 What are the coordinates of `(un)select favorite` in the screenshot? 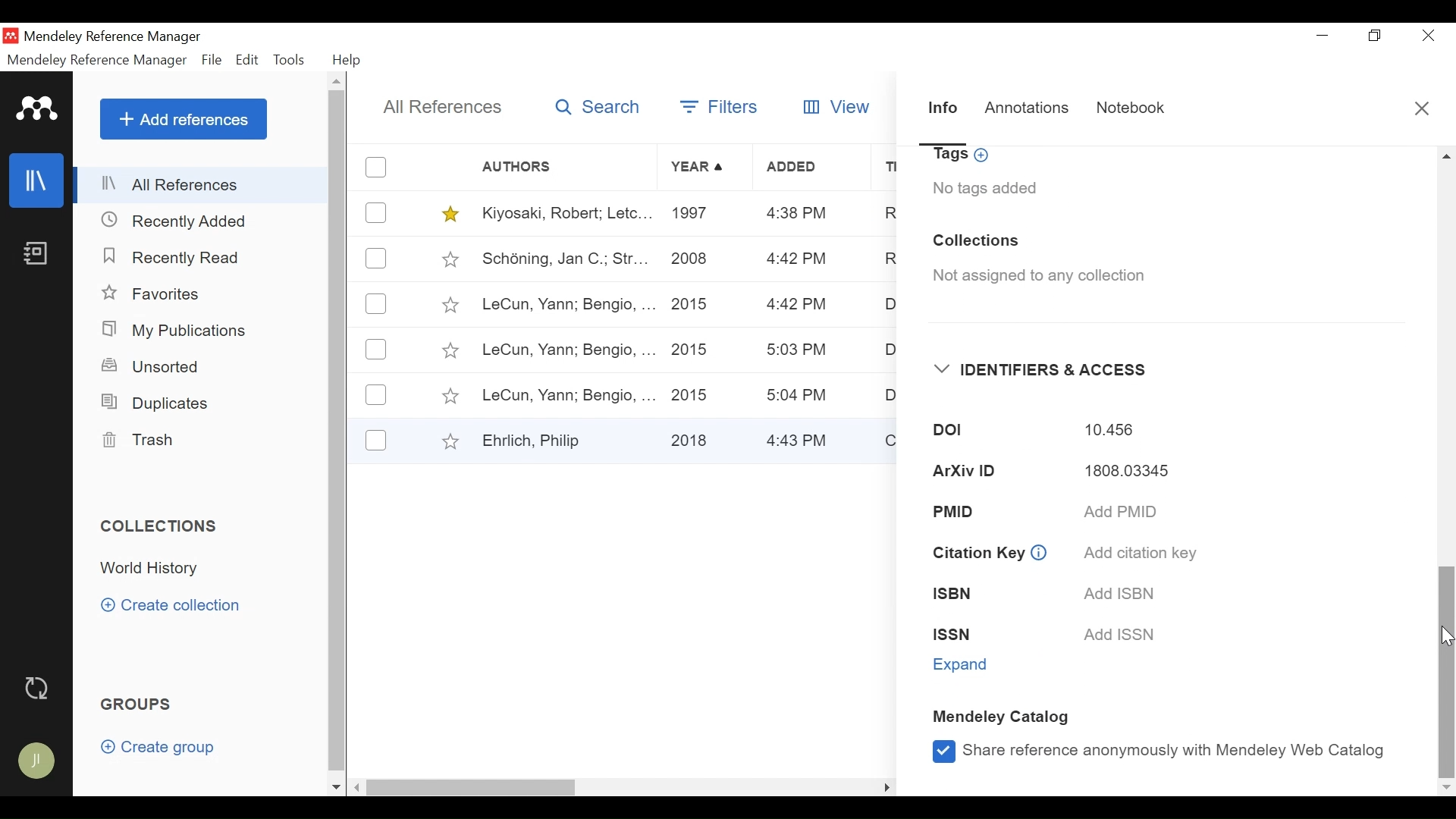 It's located at (447, 259).